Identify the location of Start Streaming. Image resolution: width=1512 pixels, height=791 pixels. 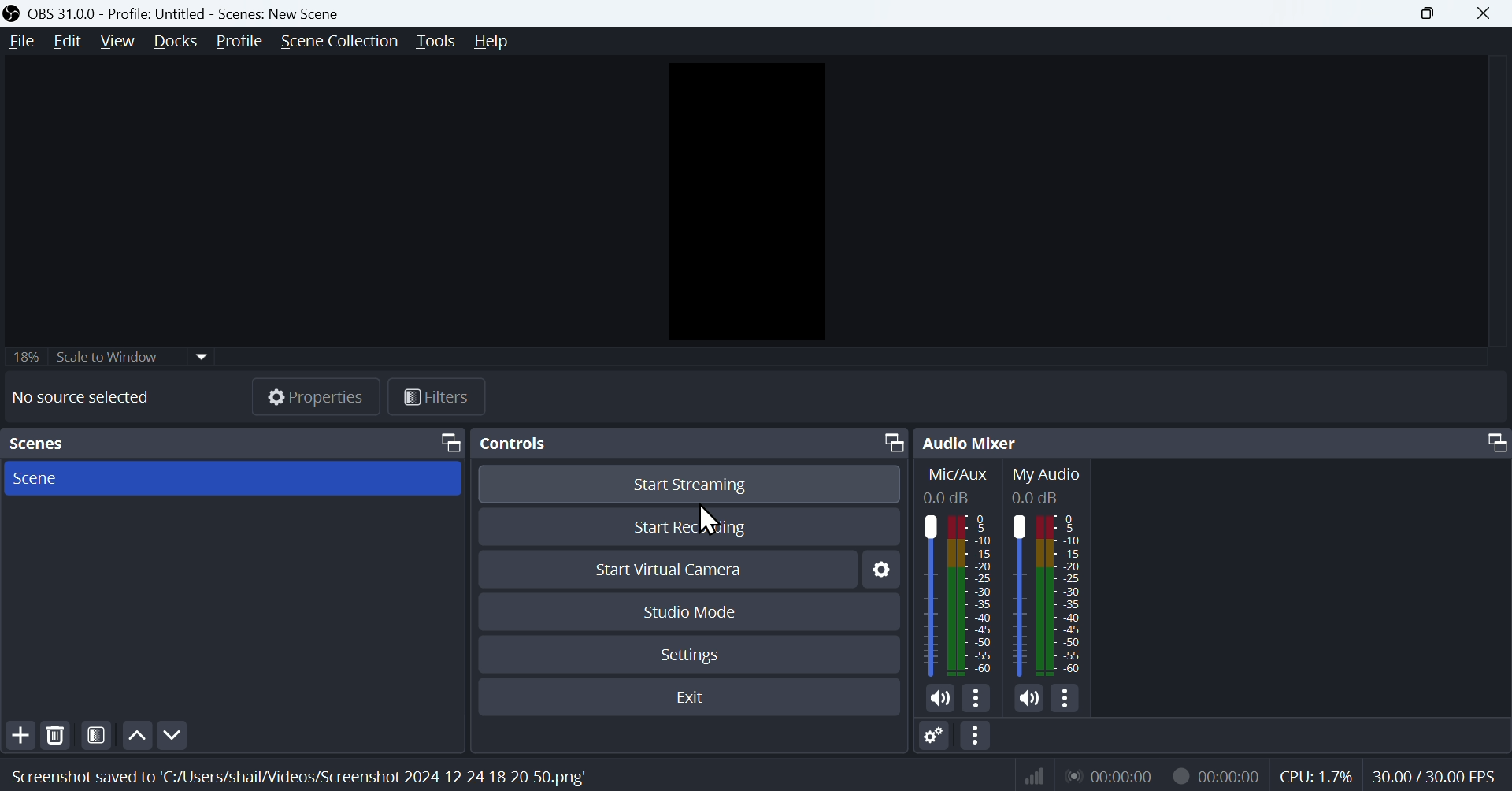
(693, 482).